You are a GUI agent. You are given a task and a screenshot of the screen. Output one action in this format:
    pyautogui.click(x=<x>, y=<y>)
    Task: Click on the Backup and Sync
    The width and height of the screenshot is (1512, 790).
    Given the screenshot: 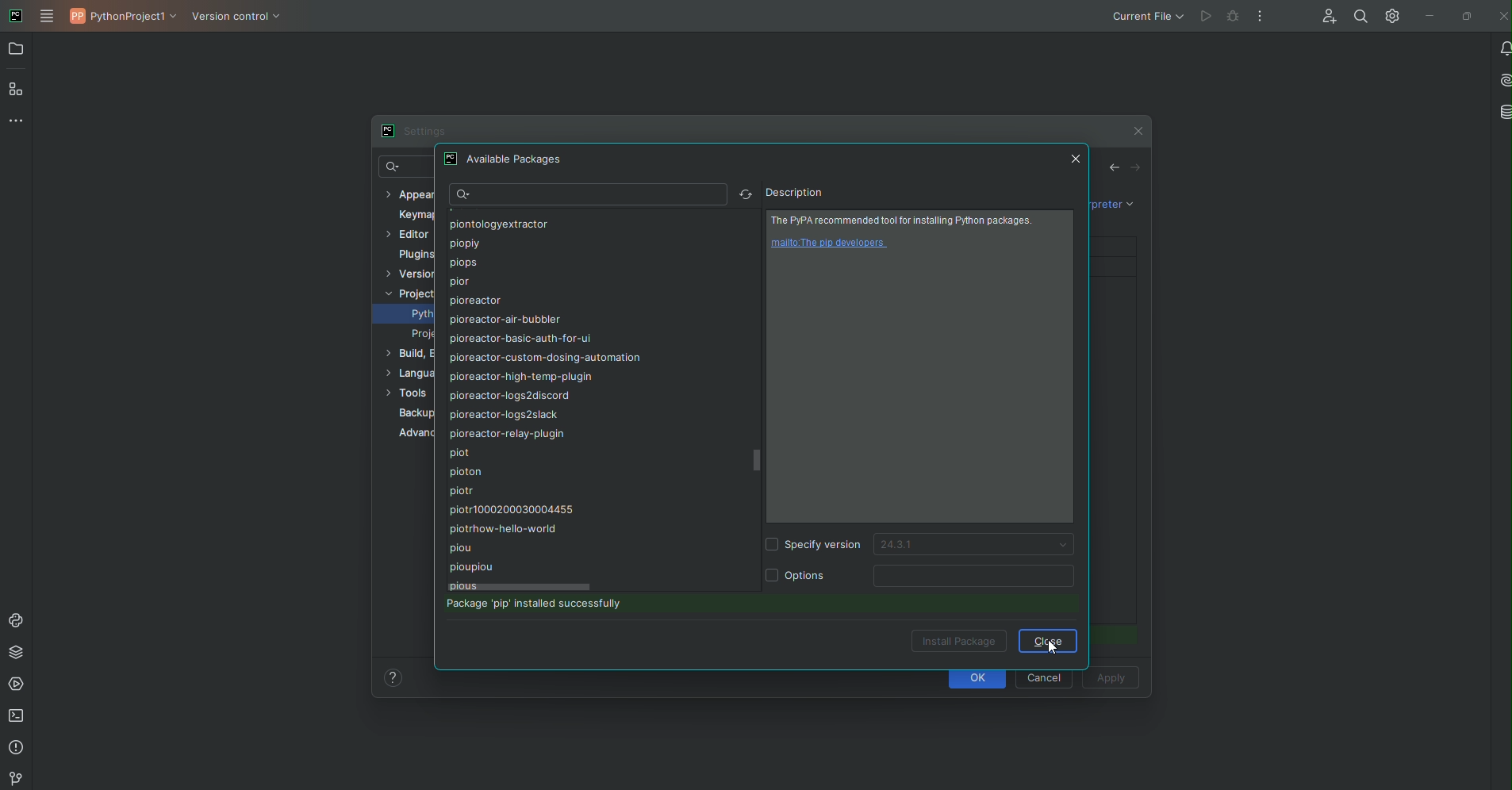 What is the action you would take?
    pyautogui.click(x=415, y=413)
    